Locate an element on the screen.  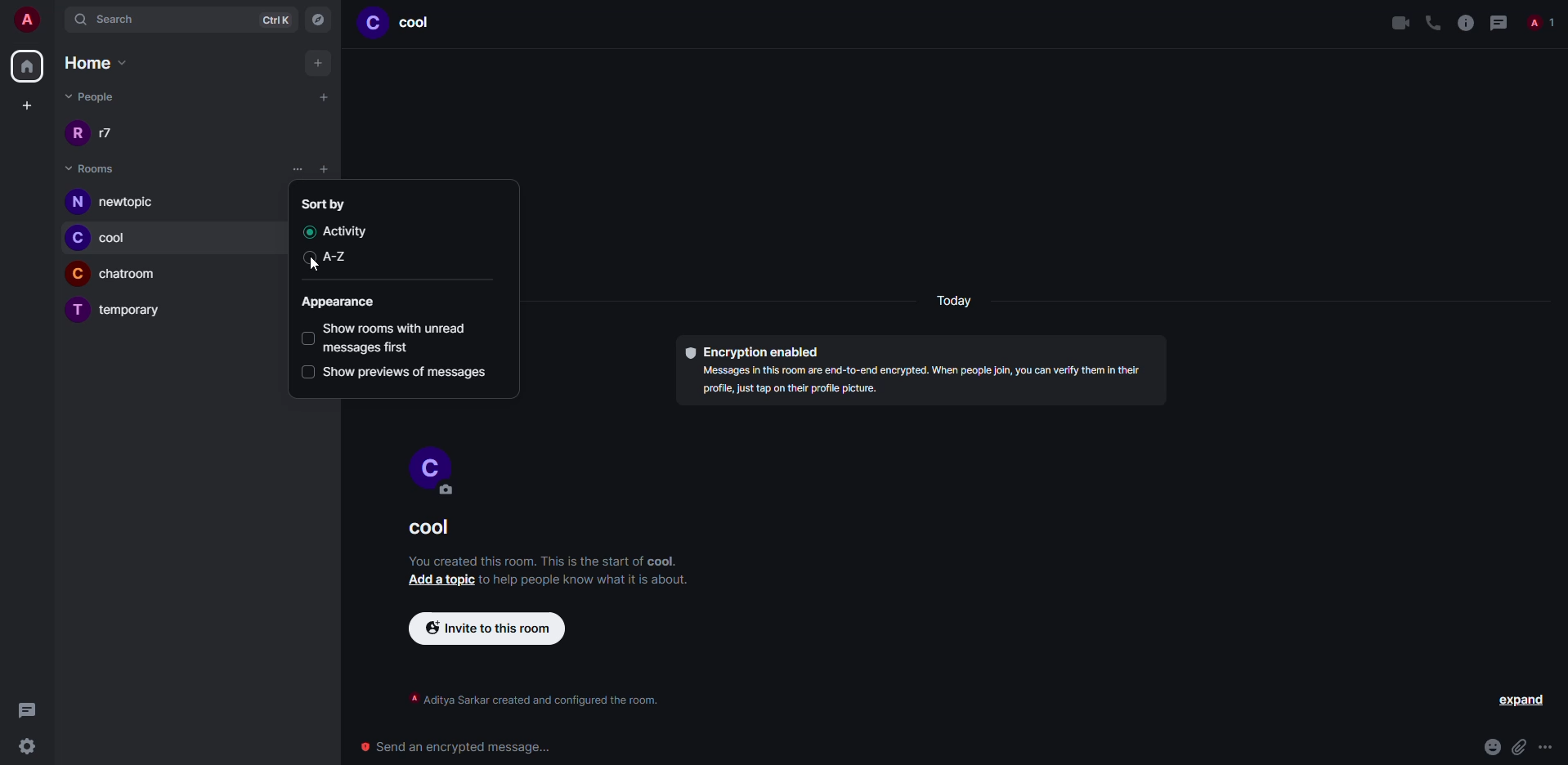
room is located at coordinates (127, 271).